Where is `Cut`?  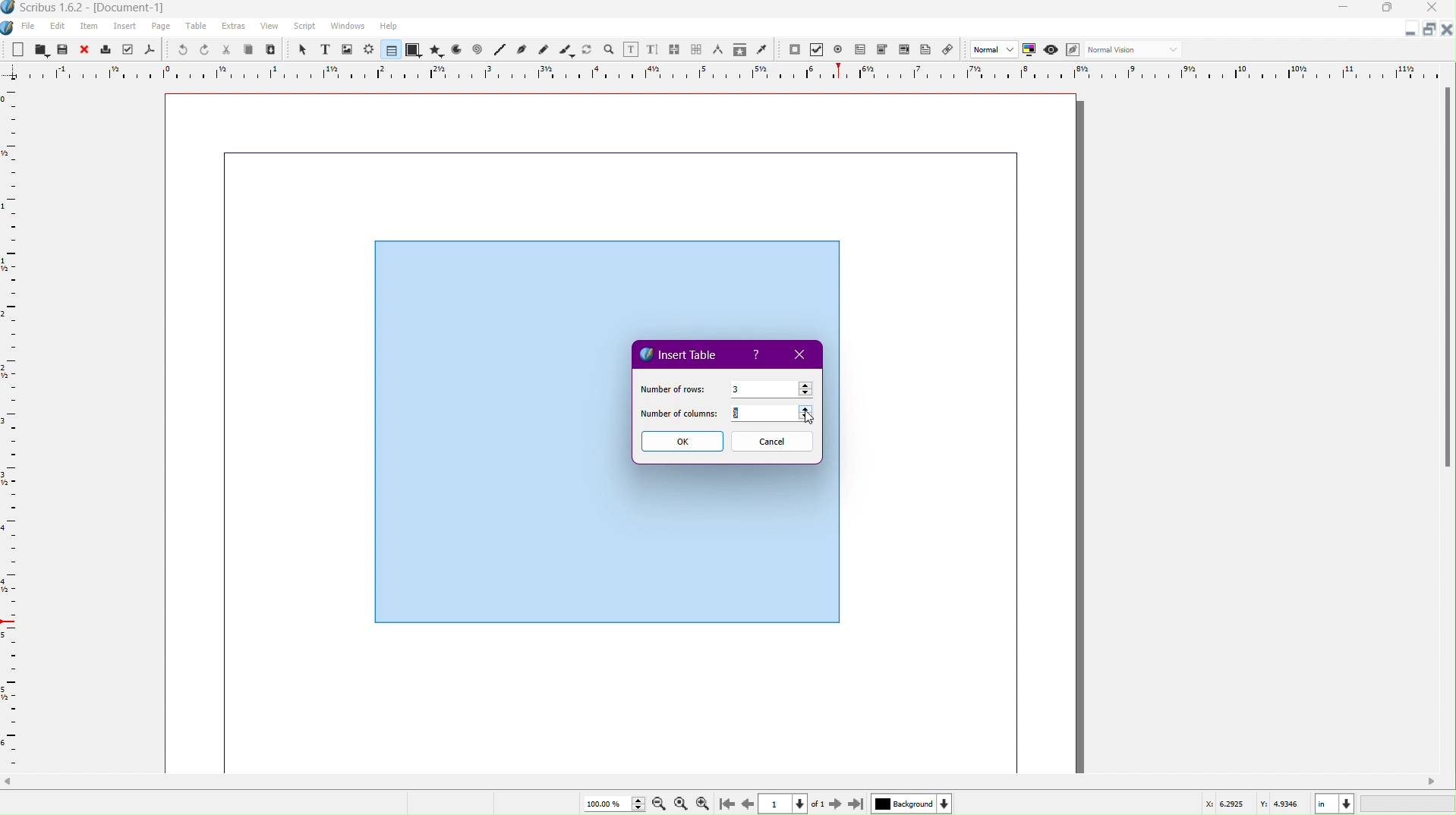 Cut is located at coordinates (227, 49).